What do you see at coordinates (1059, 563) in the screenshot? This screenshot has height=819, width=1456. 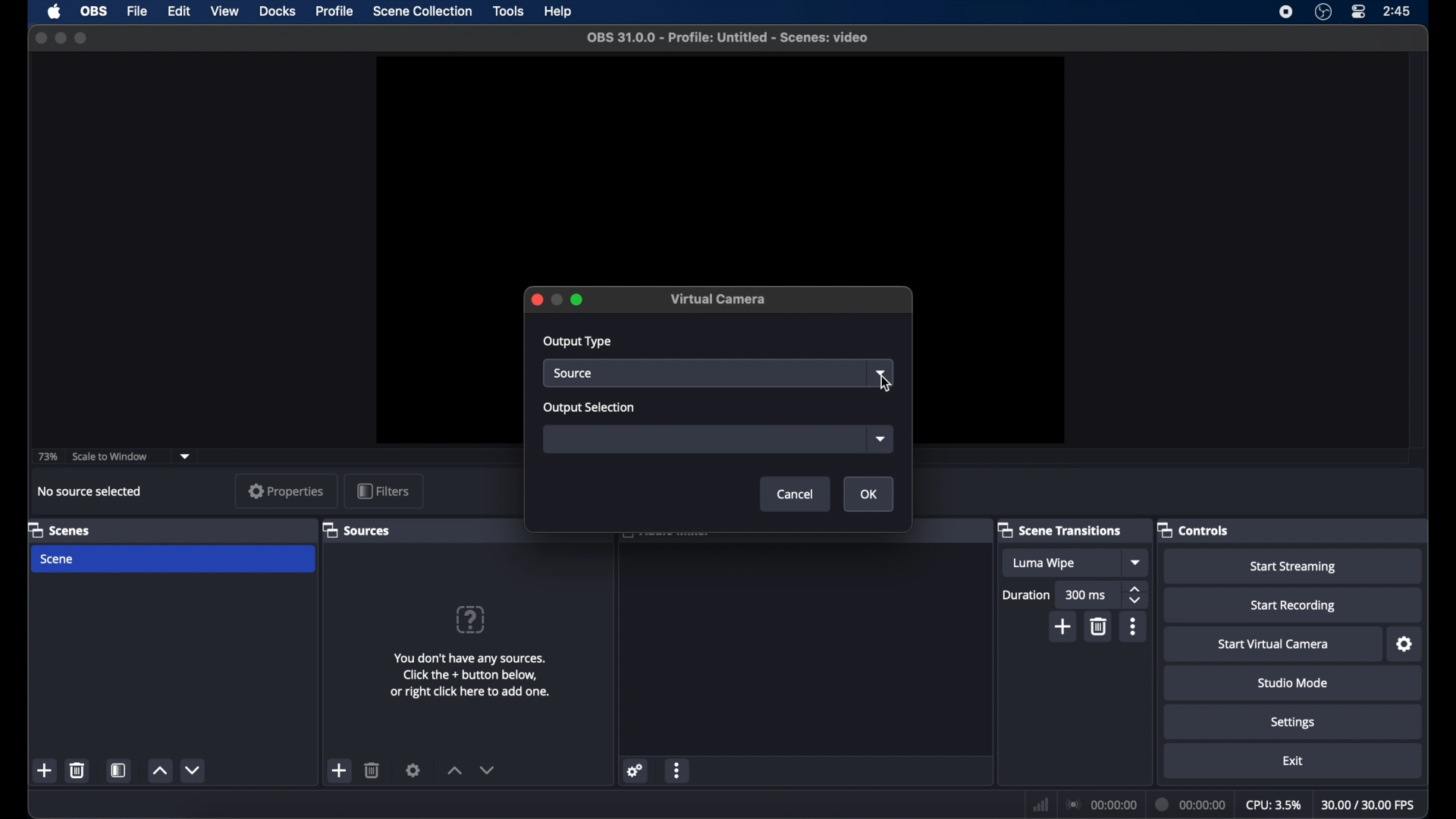 I see `luma wipe` at bounding box center [1059, 563].